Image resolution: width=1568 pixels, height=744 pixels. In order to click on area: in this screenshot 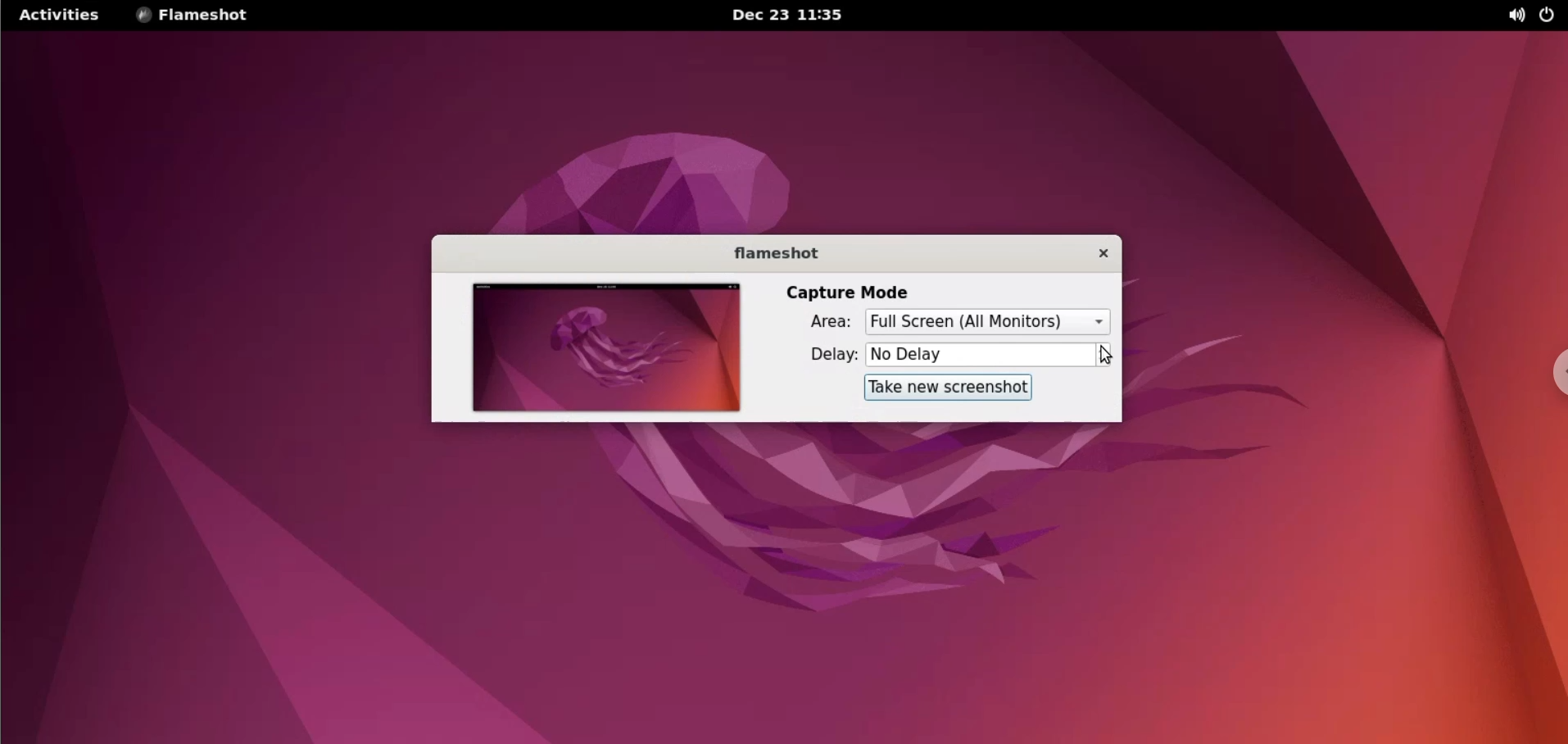, I will do `click(823, 324)`.